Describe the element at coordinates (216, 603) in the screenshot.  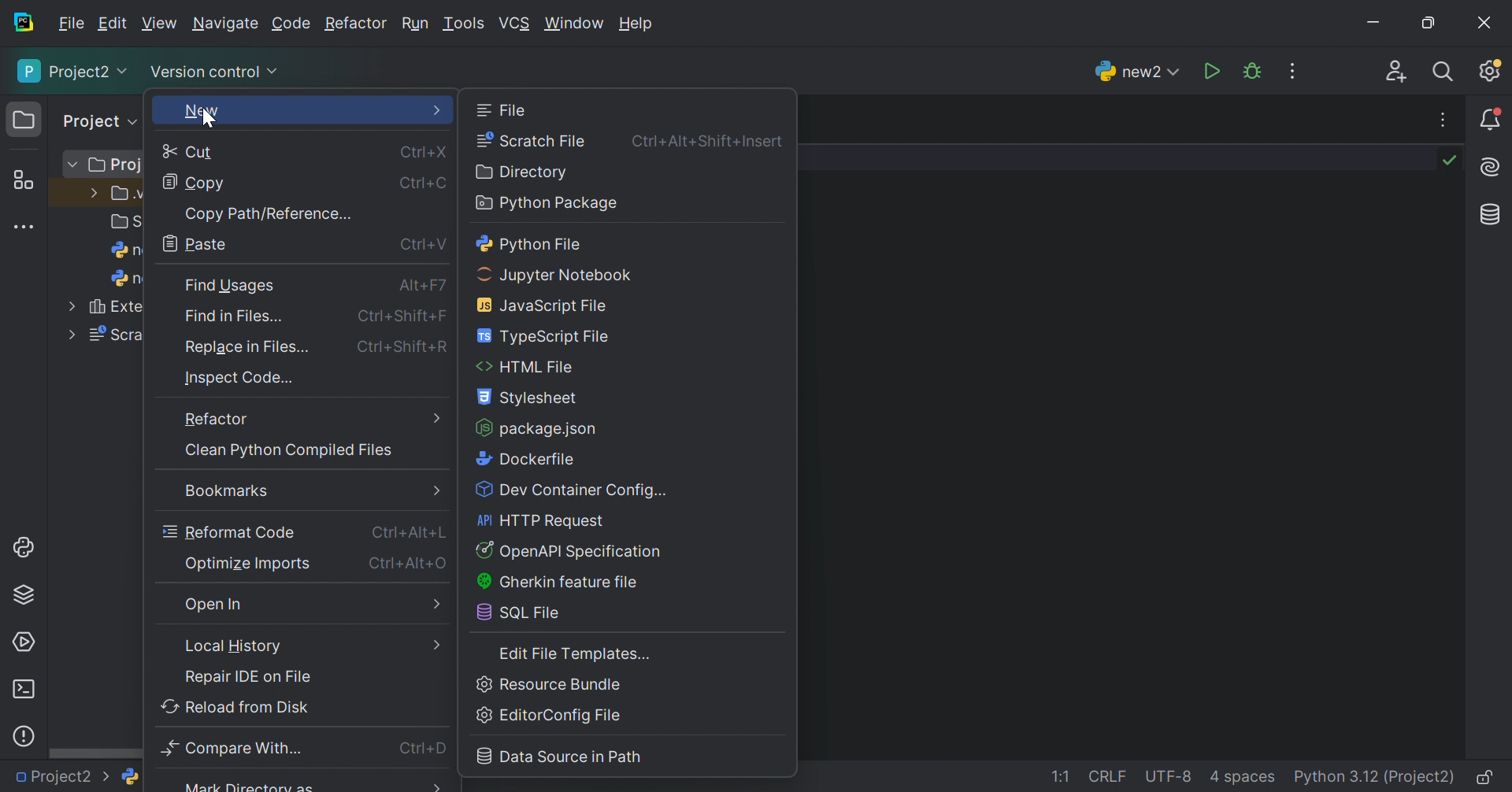
I see `Open in` at that location.